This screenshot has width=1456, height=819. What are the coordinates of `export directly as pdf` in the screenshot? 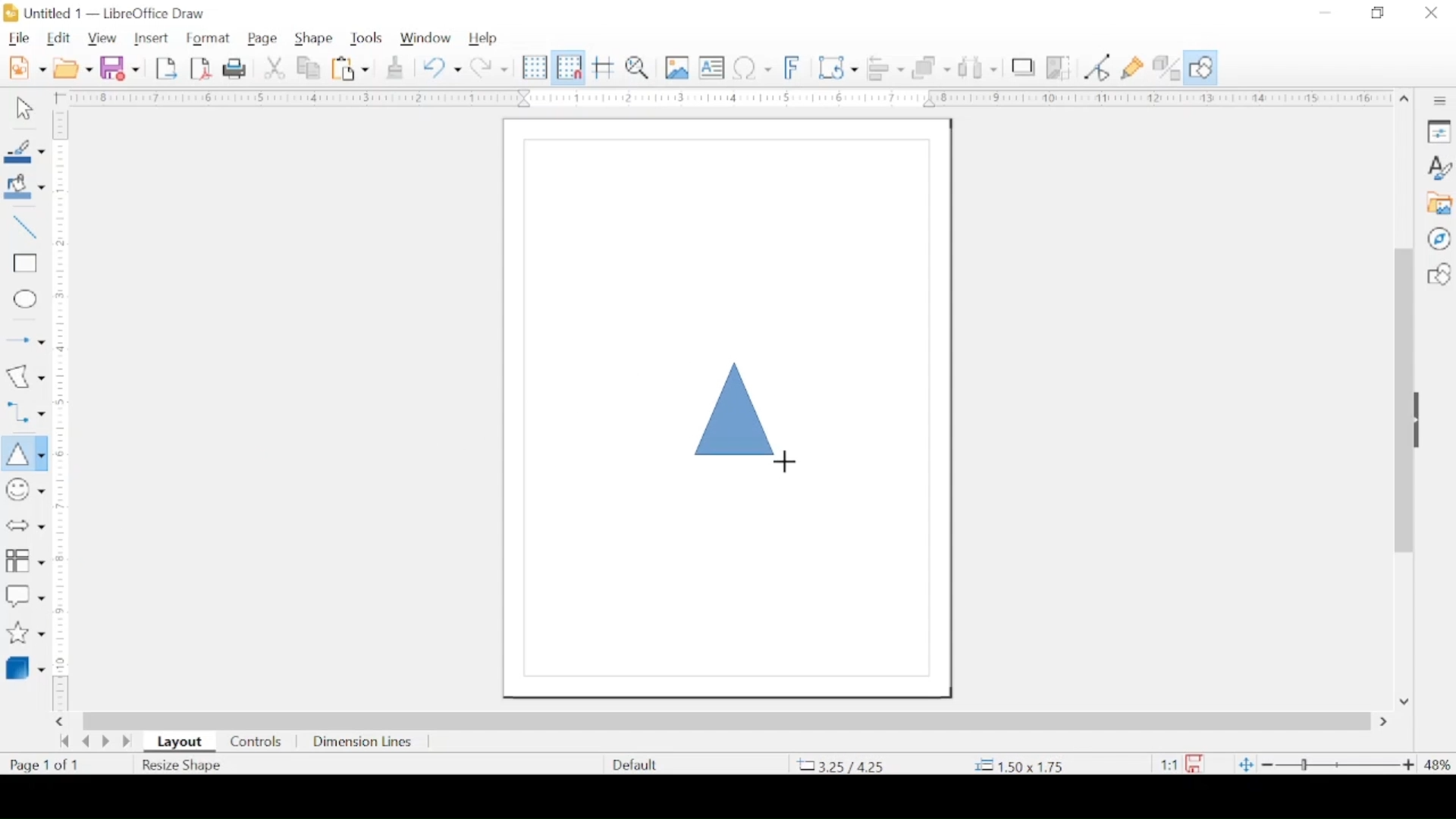 It's located at (202, 69).